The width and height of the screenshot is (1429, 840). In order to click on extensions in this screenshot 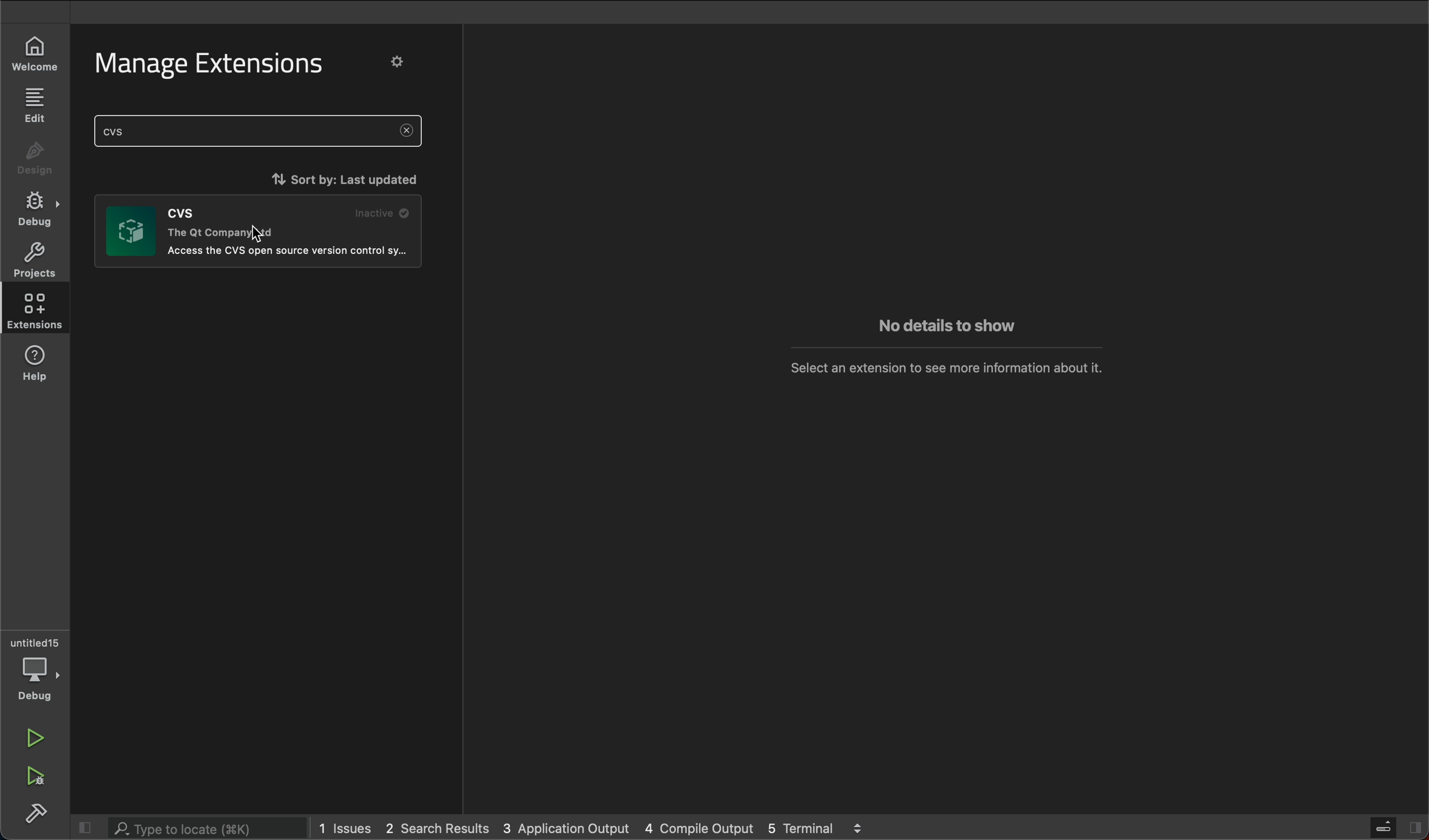, I will do `click(32, 310)`.